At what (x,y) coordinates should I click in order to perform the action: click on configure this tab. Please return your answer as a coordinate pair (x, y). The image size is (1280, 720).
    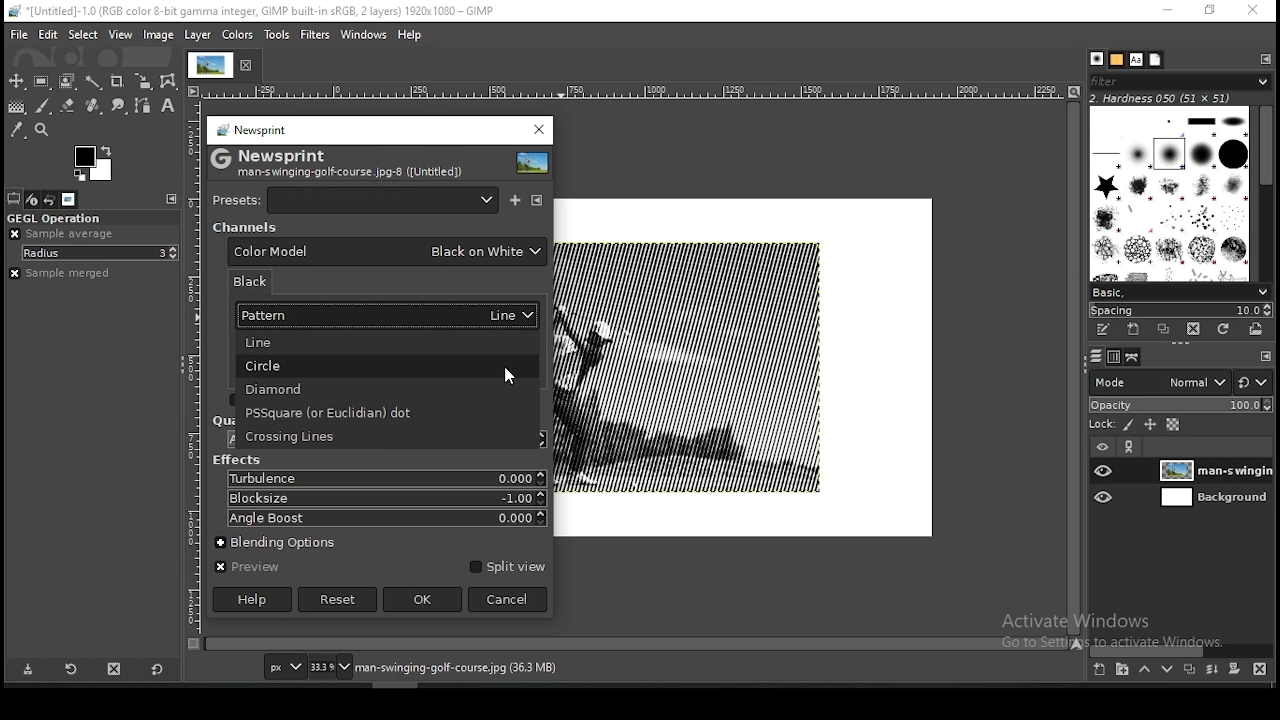
    Looking at the image, I should click on (1263, 358).